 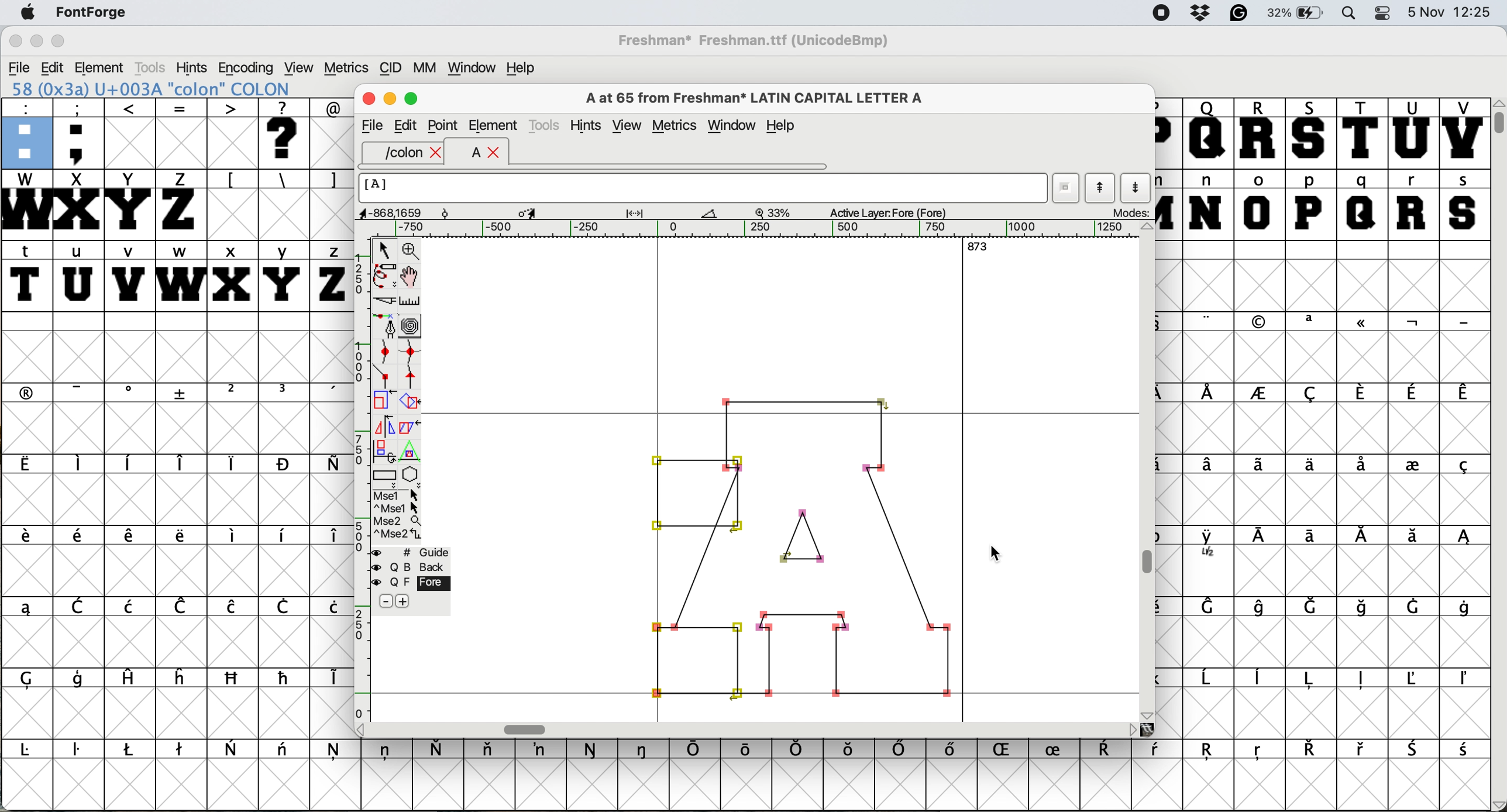 I want to click on symbol, so click(x=491, y=752).